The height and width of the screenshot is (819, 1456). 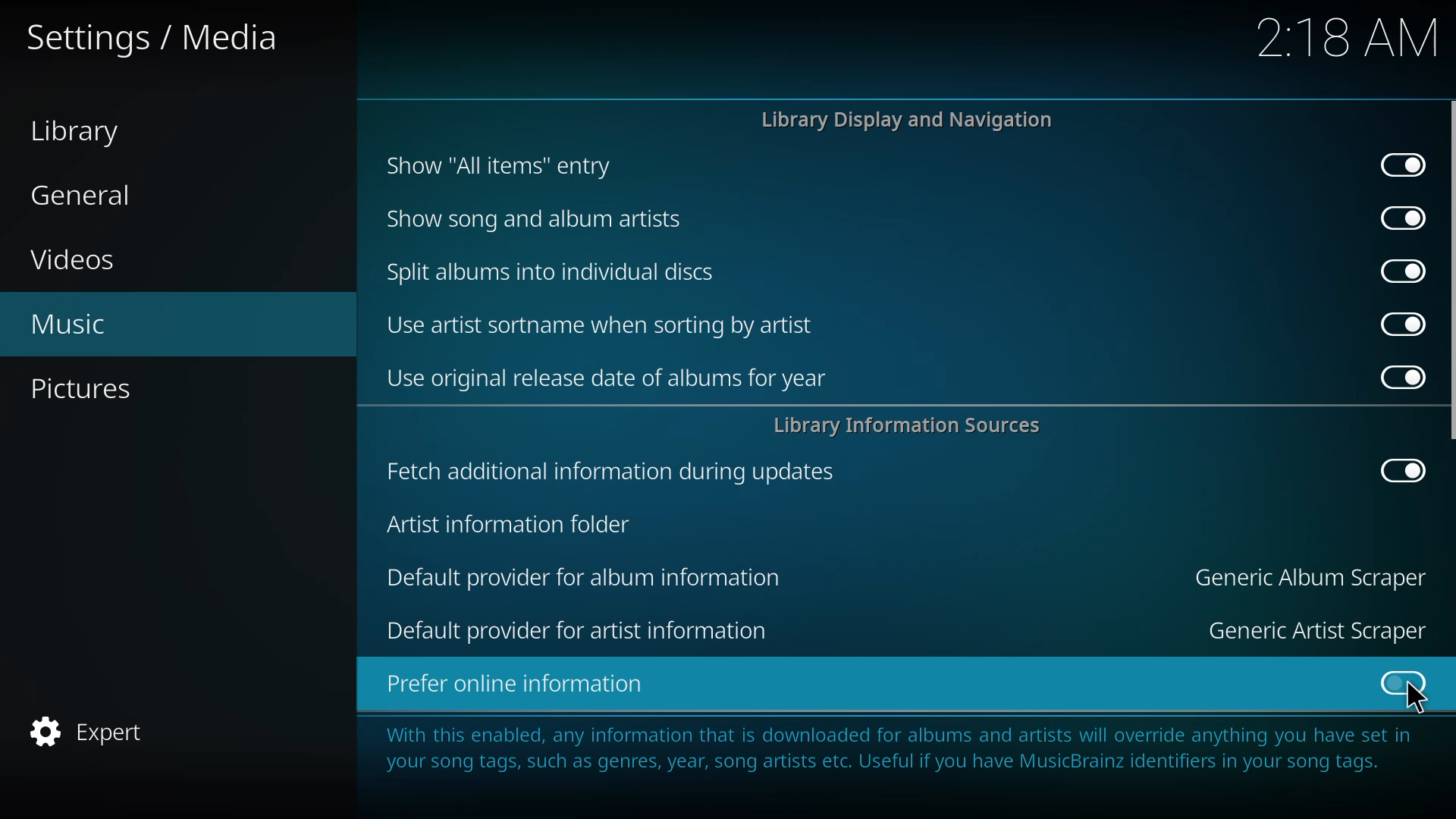 I want to click on generic, so click(x=1315, y=578).